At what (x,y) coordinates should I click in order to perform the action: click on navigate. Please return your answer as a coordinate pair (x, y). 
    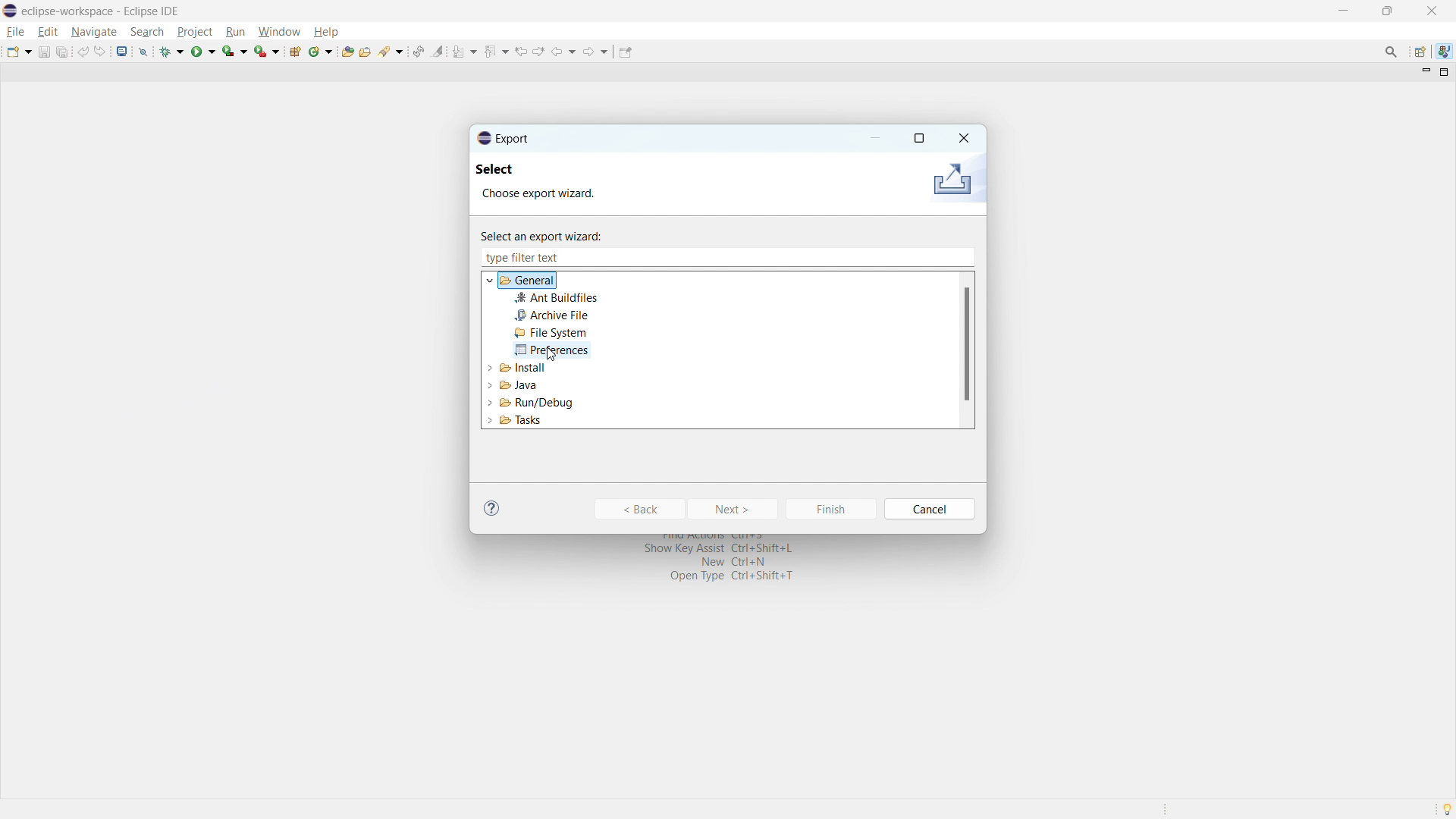
    Looking at the image, I should click on (93, 33).